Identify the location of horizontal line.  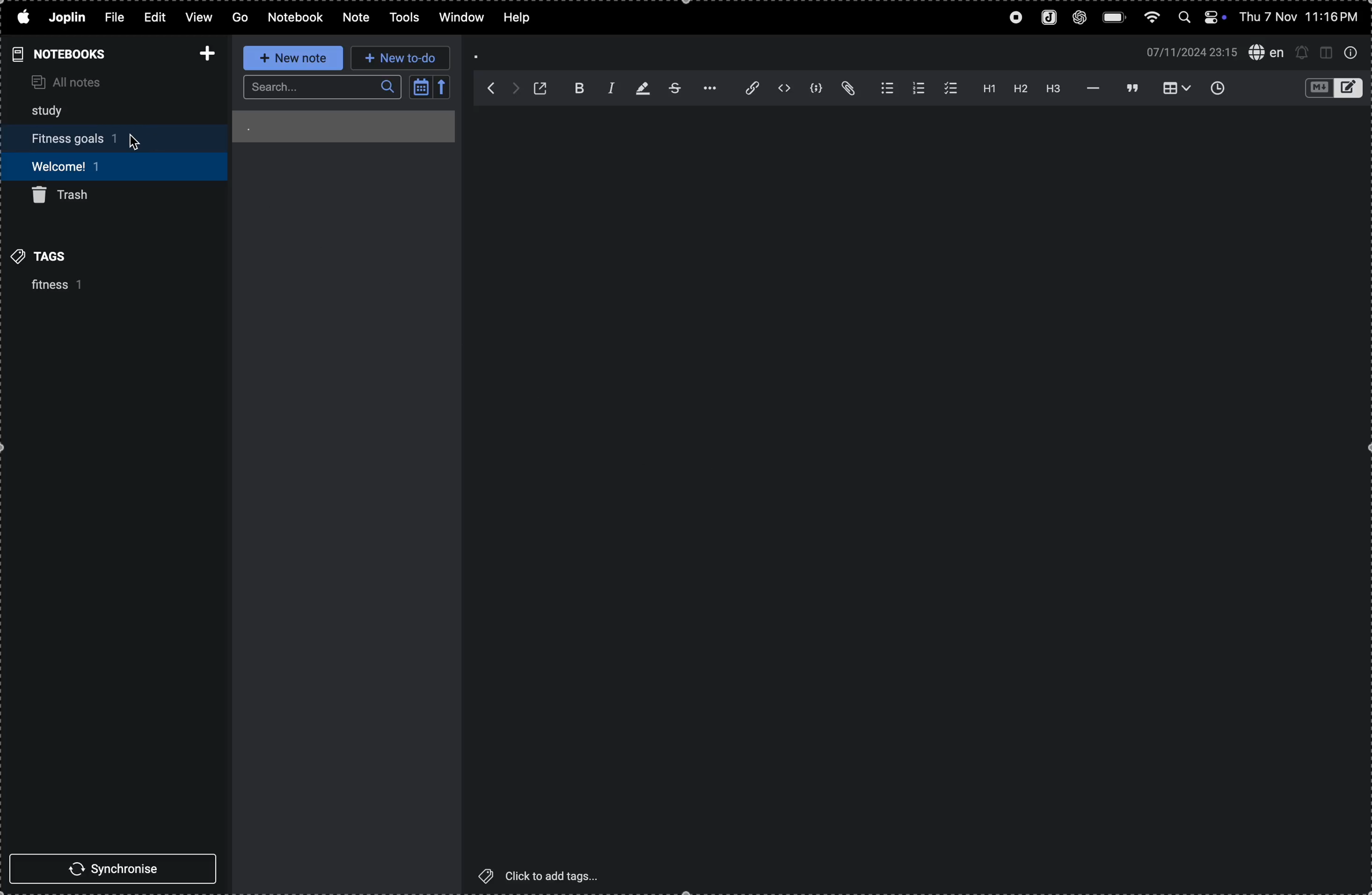
(1088, 88).